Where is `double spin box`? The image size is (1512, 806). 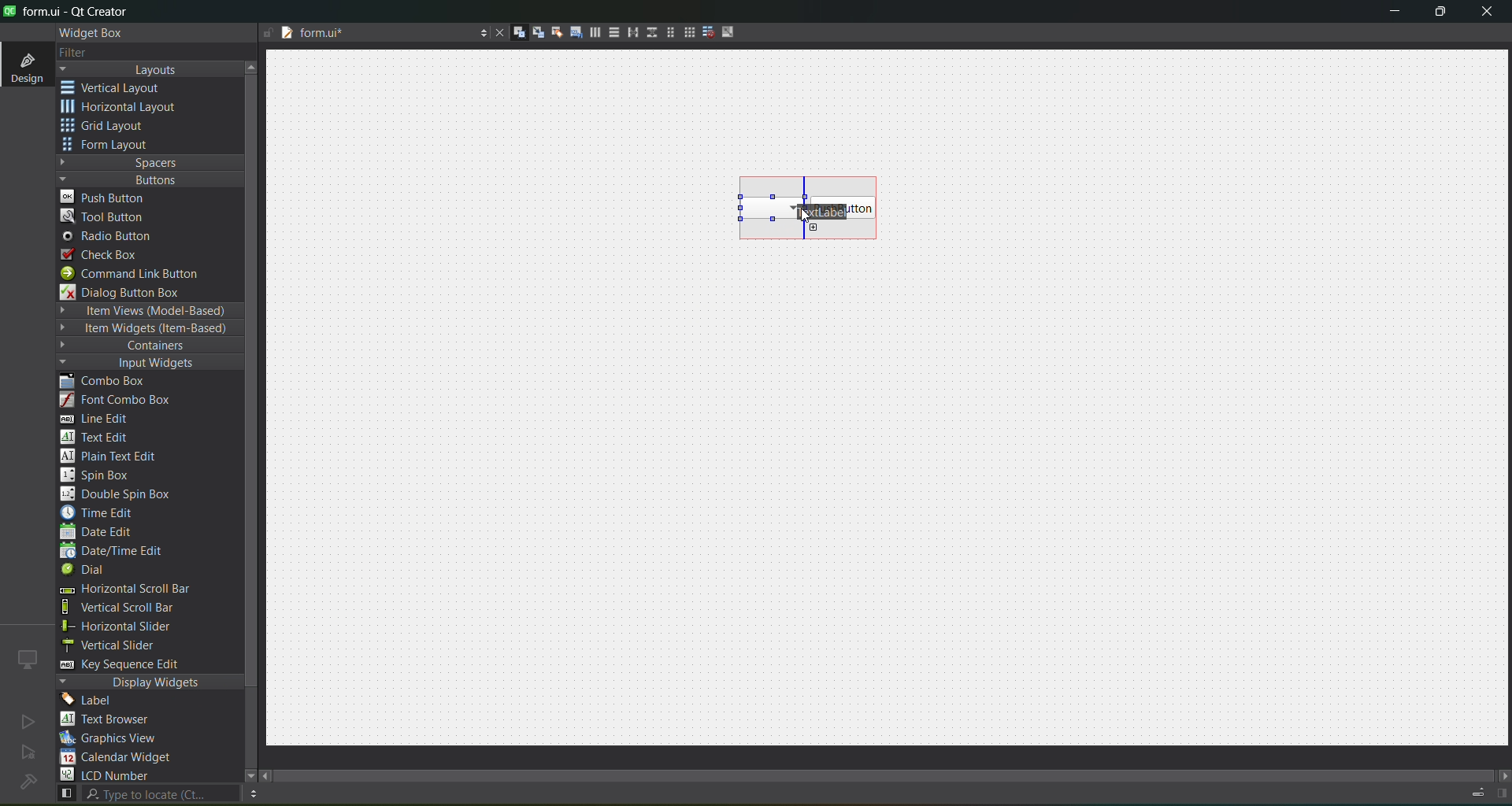
double spin box is located at coordinates (127, 494).